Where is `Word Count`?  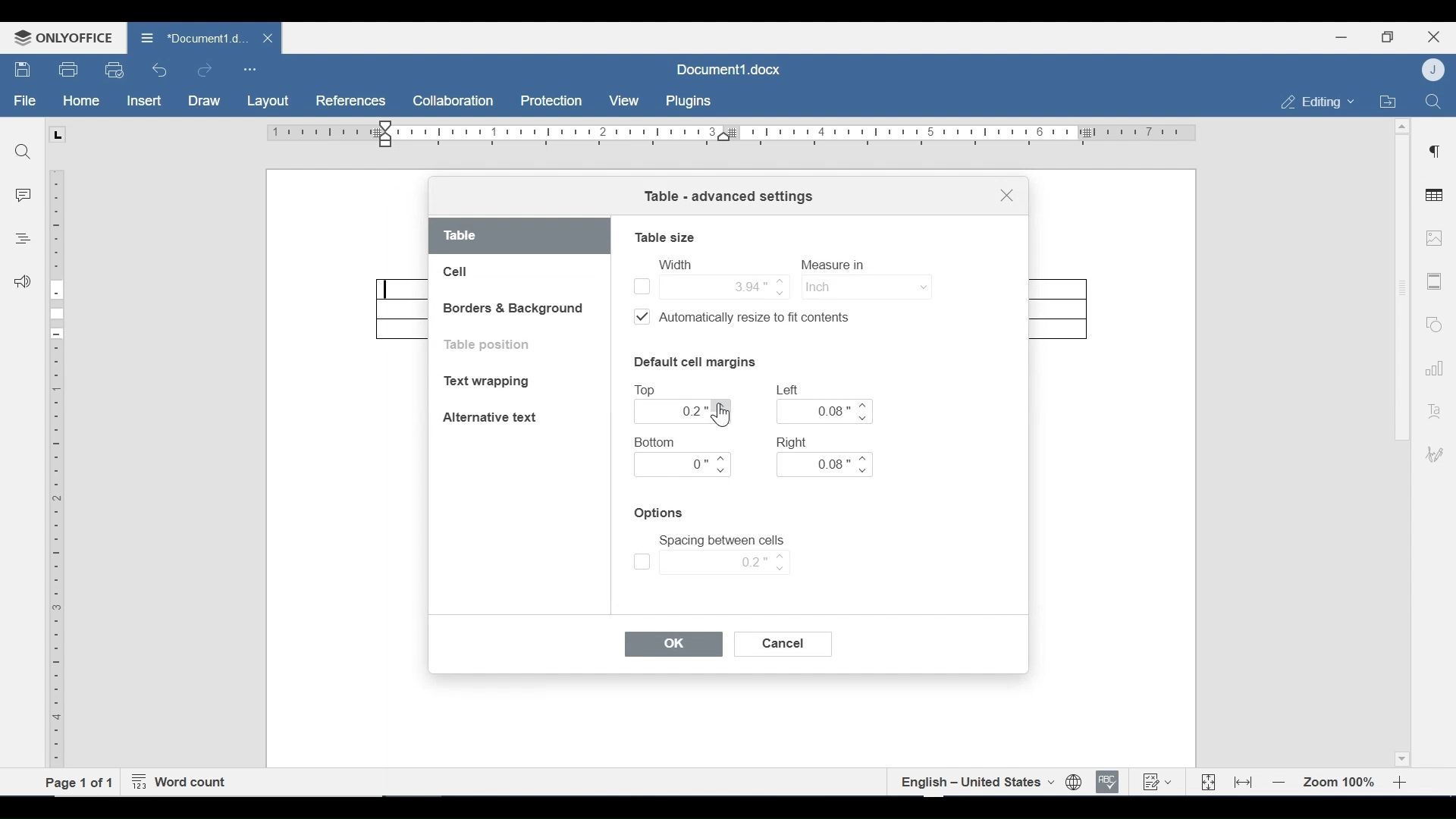
Word Count is located at coordinates (183, 783).